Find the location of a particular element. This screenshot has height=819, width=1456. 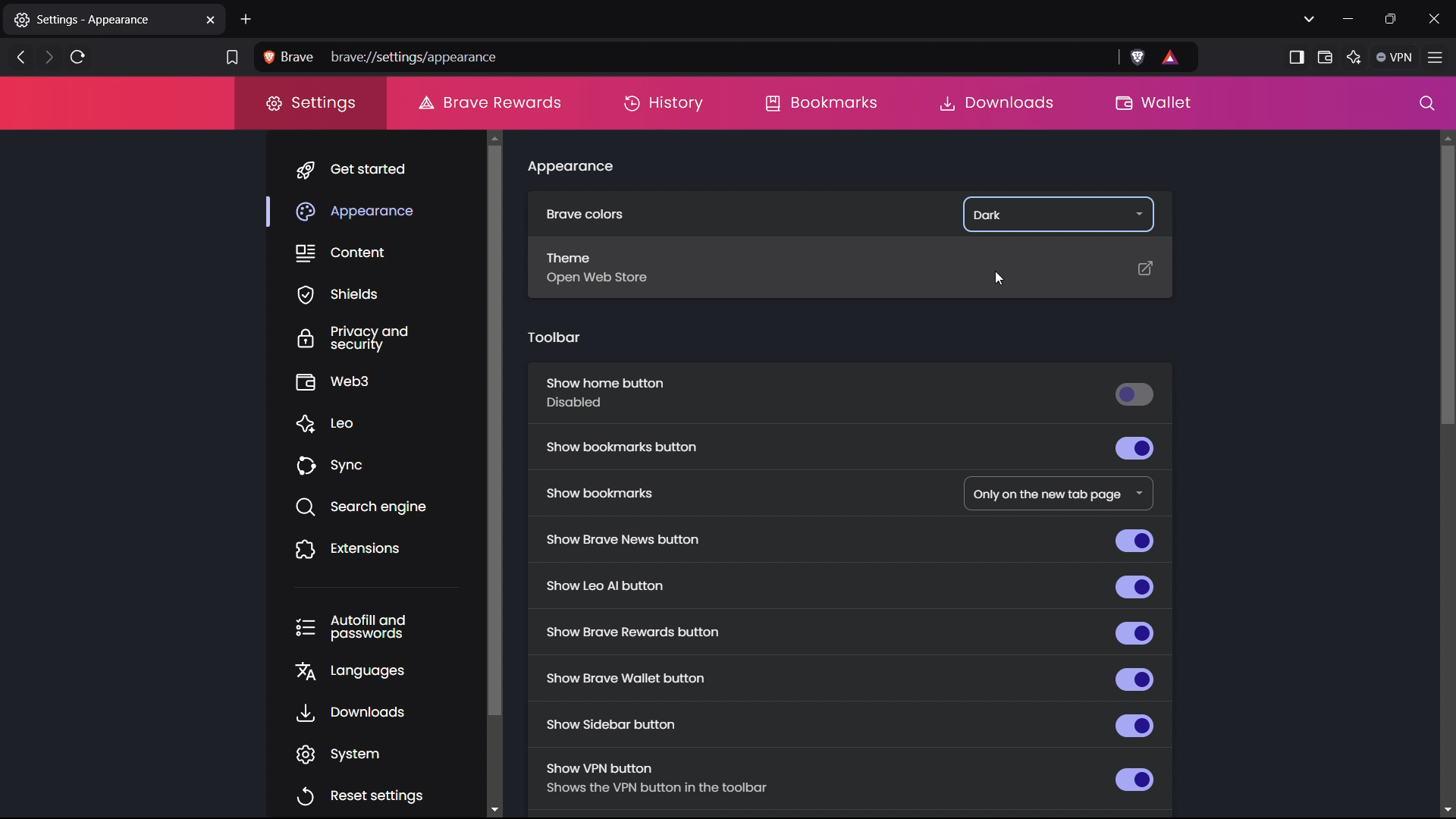

Show bookmarks is located at coordinates (621, 493).